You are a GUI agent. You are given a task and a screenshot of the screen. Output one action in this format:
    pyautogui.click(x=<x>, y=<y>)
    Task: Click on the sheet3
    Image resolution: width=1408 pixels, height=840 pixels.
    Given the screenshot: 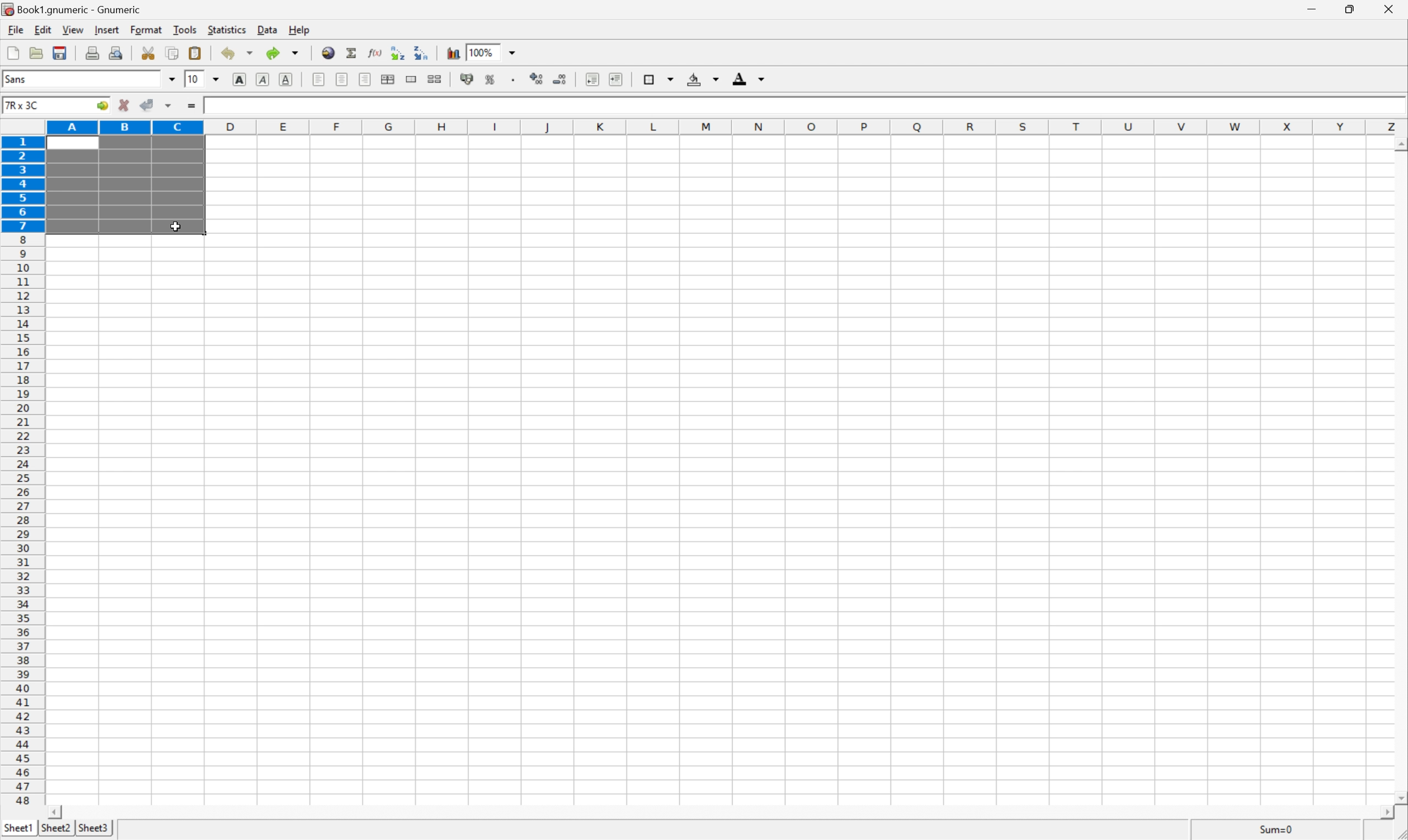 What is the action you would take?
    pyautogui.click(x=93, y=830)
    